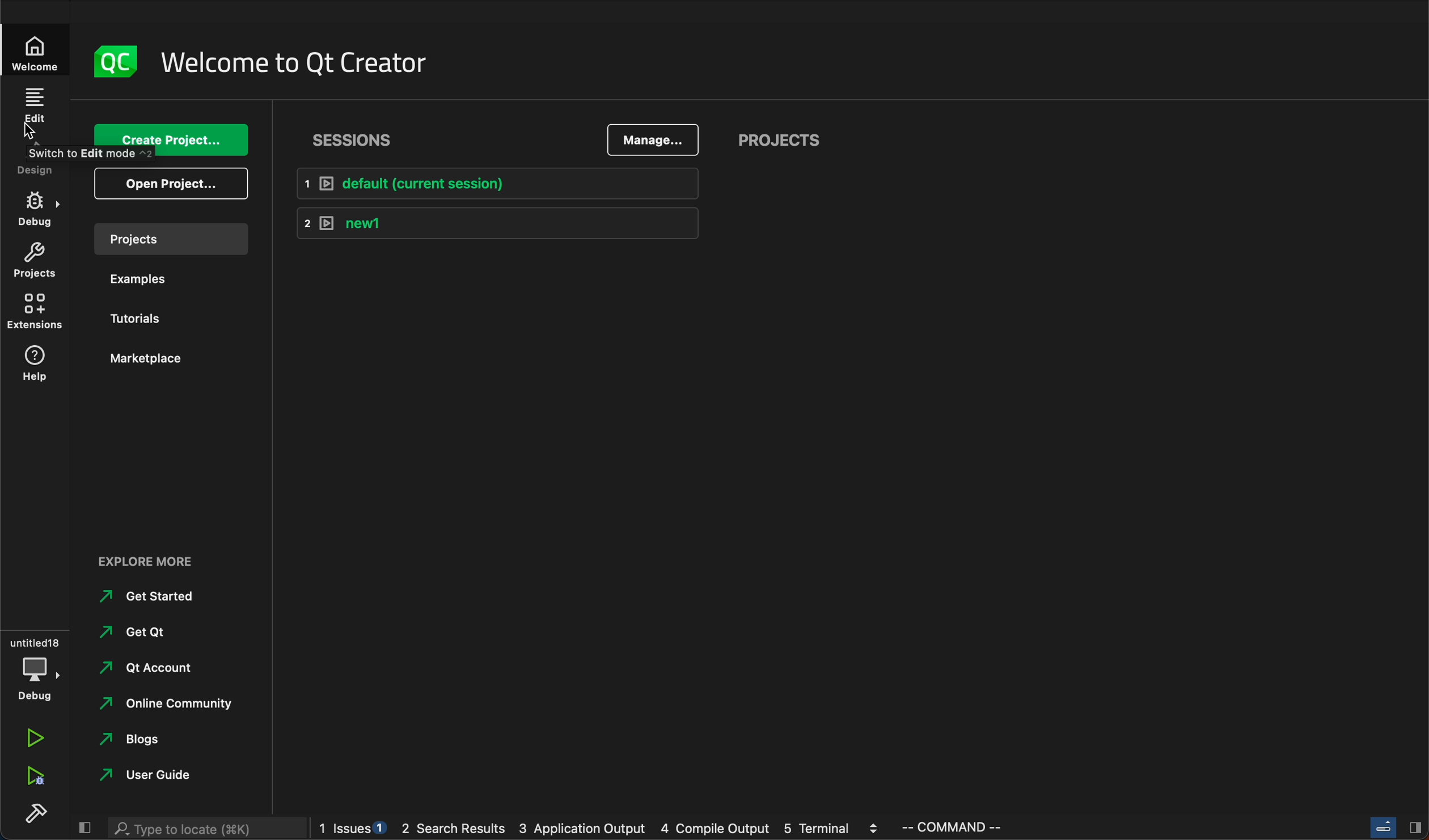 The height and width of the screenshot is (840, 1429). What do you see at coordinates (38, 778) in the screenshot?
I see `run debug` at bounding box center [38, 778].